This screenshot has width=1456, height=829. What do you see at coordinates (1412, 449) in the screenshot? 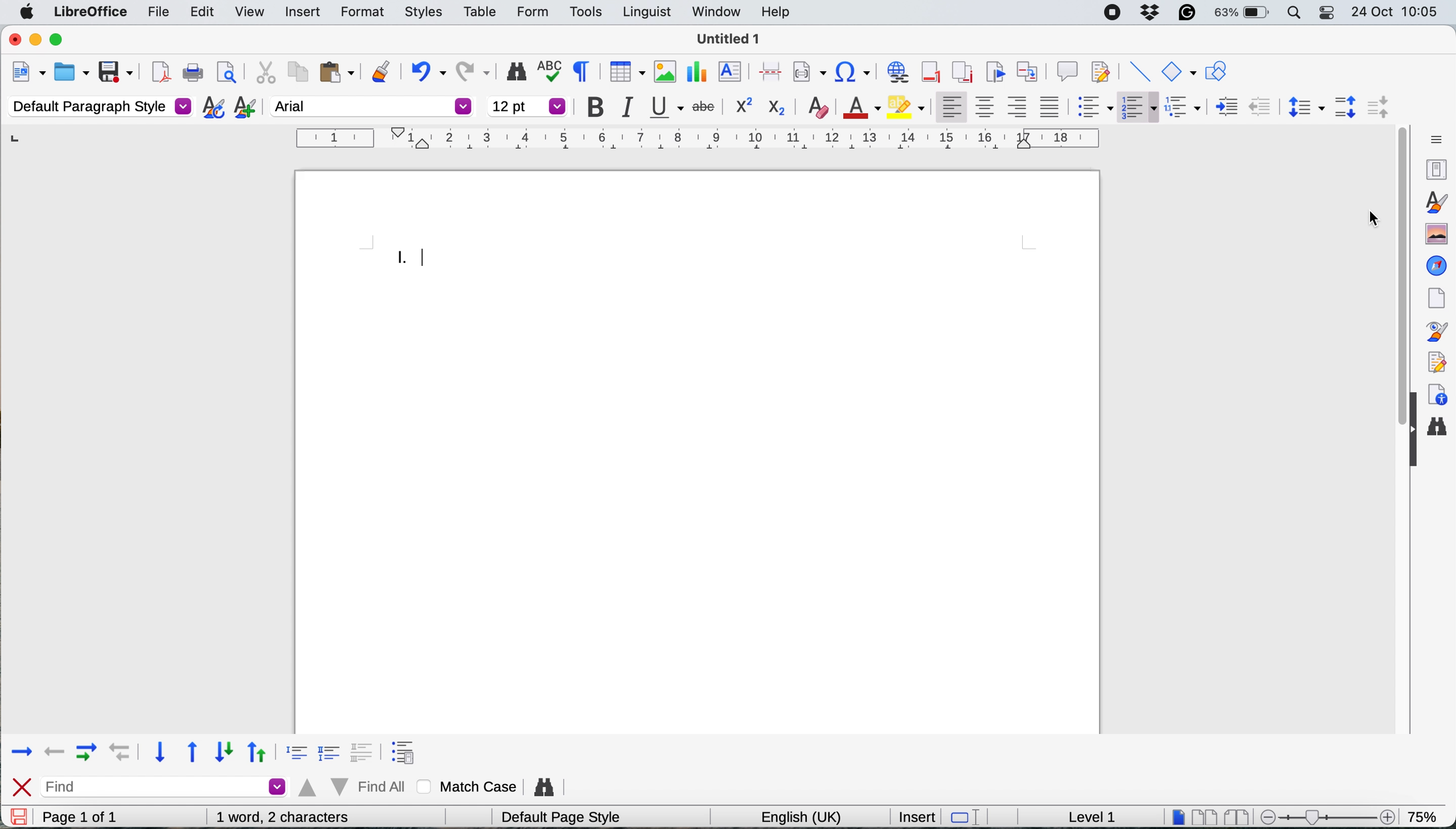
I see `collapse` at bounding box center [1412, 449].